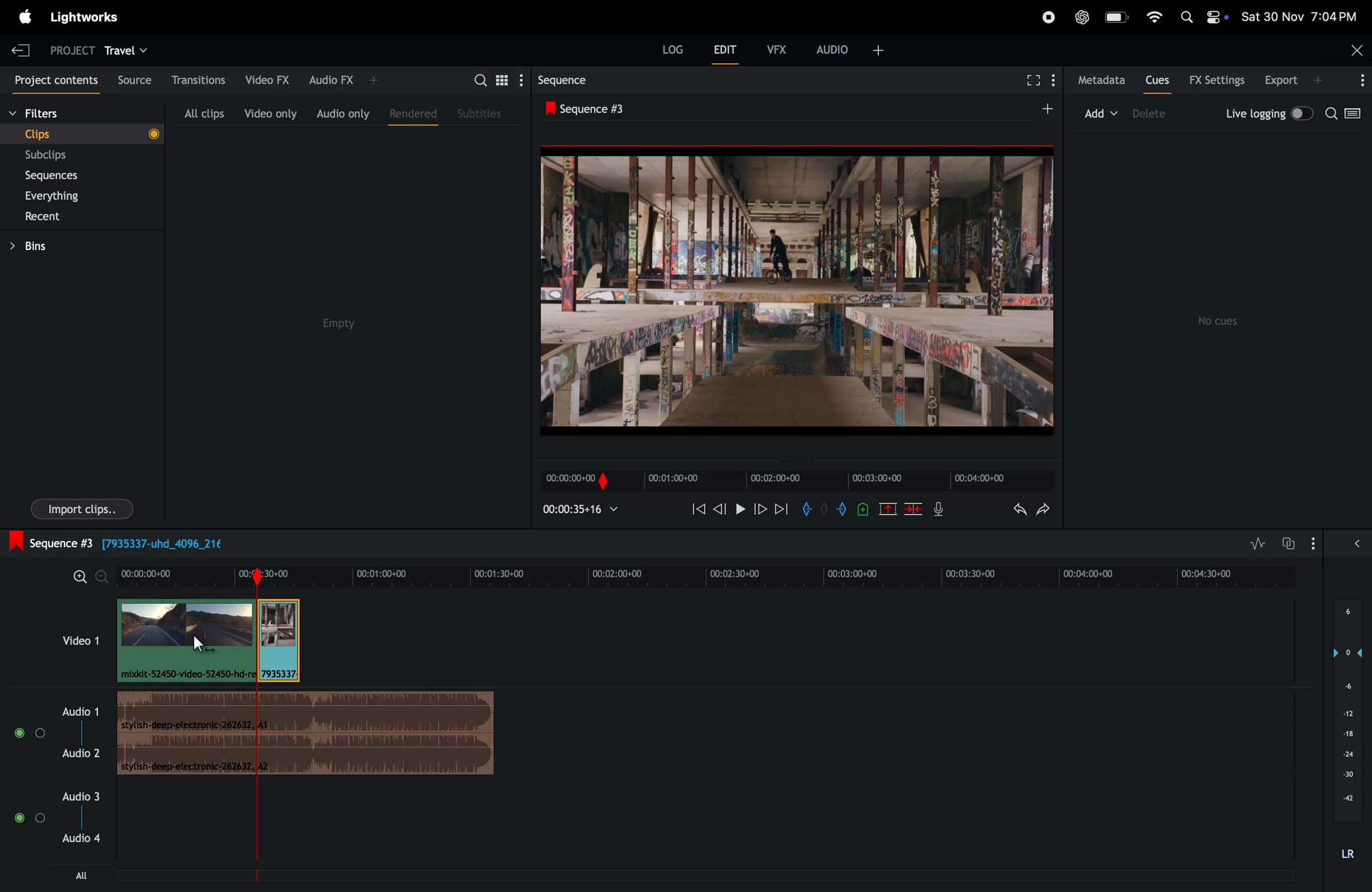  What do you see at coordinates (1295, 81) in the screenshot?
I see `export +` at bounding box center [1295, 81].